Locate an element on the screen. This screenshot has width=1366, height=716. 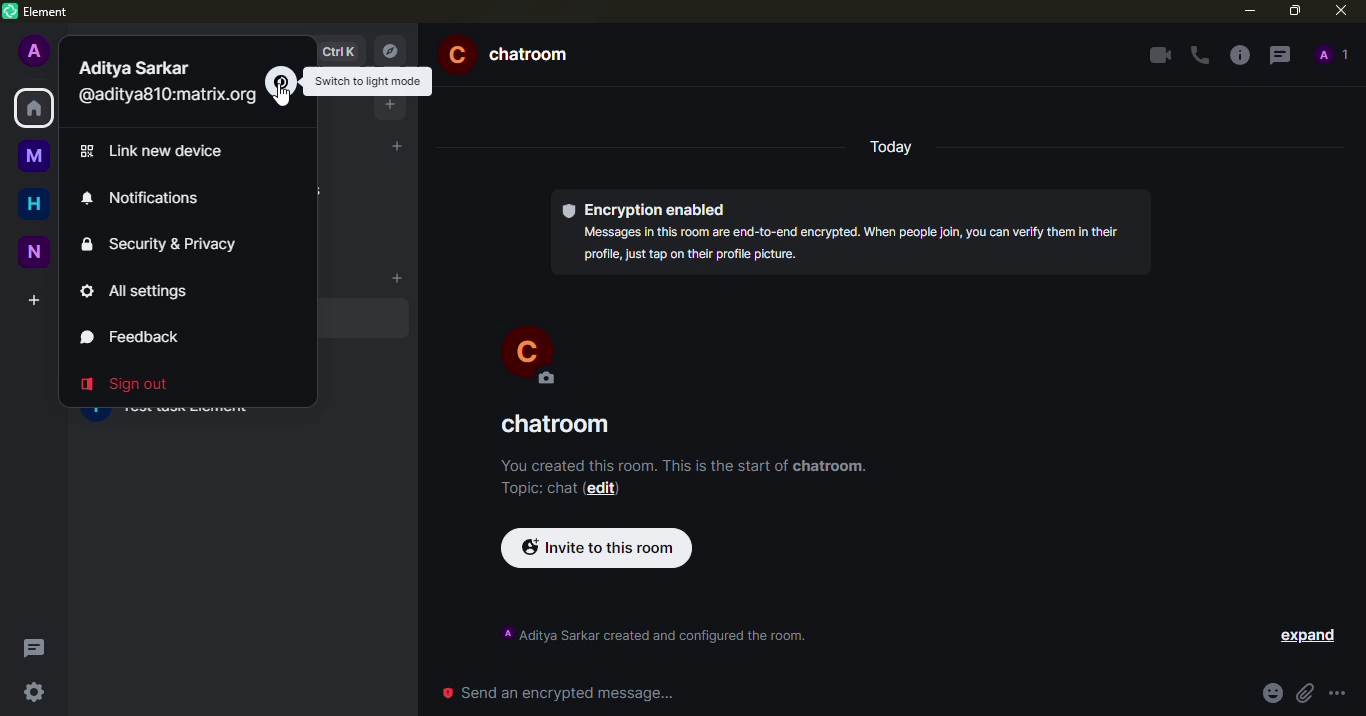
expand is located at coordinates (1311, 637).